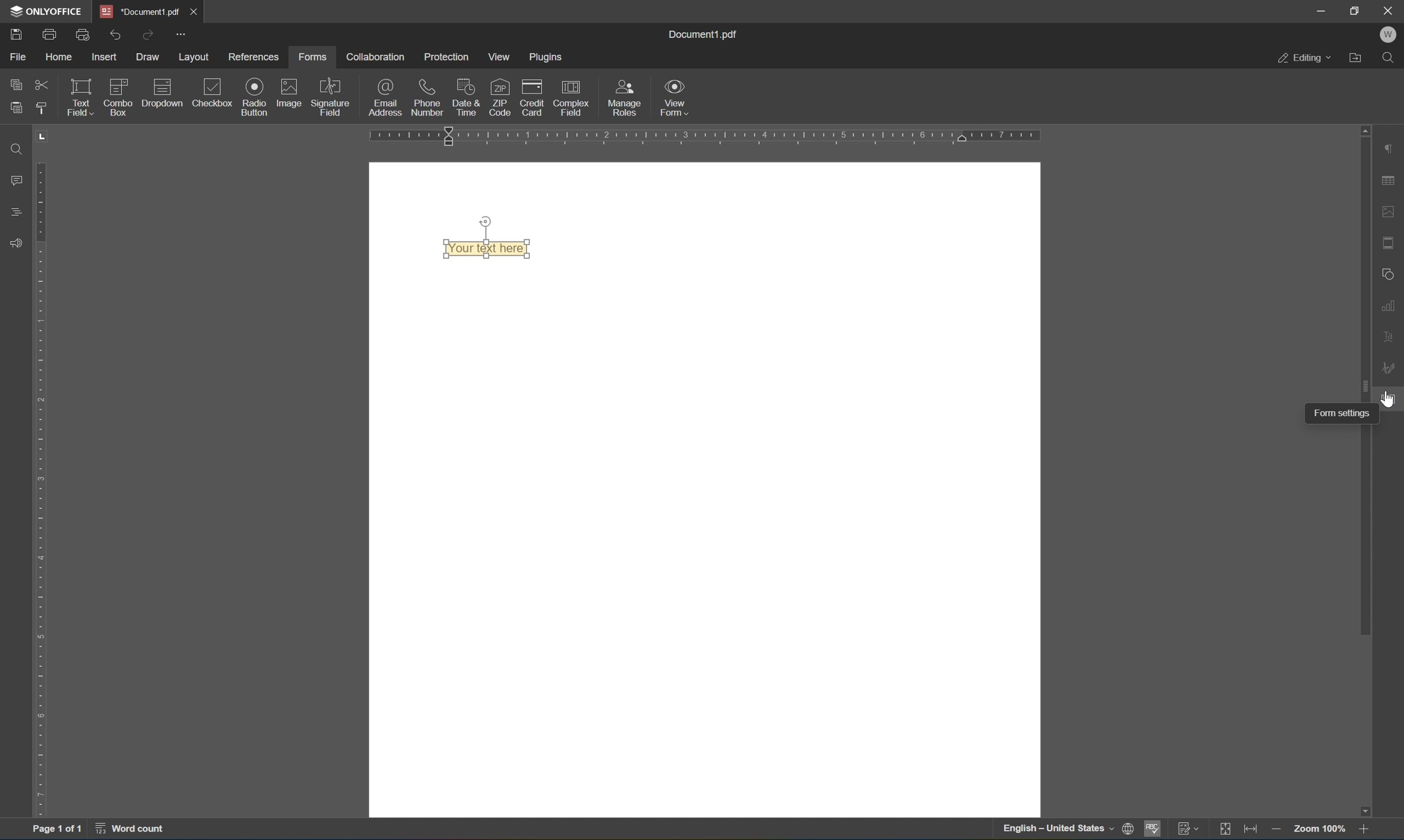 The height and width of the screenshot is (840, 1404). What do you see at coordinates (140, 11) in the screenshot?
I see `*document1.pdf` at bounding box center [140, 11].